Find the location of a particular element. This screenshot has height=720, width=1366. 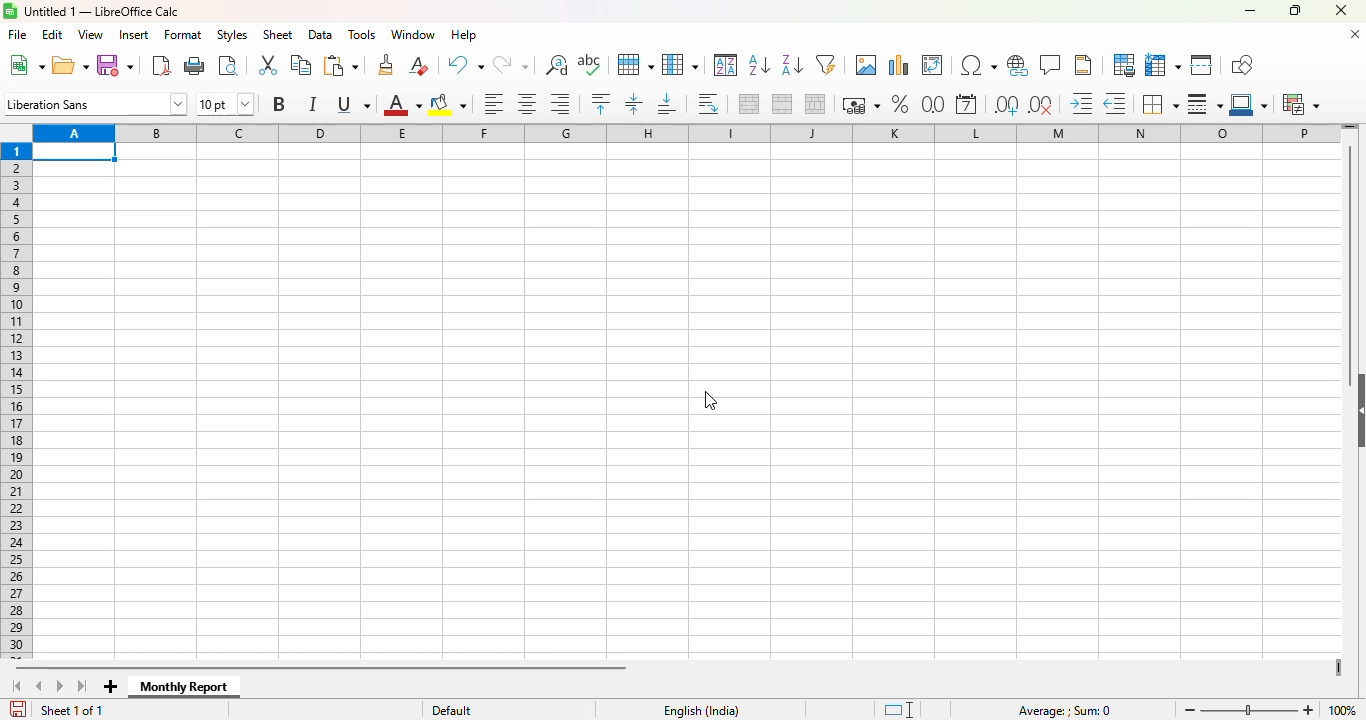

horizontal scroll bar is located at coordinates (323, 668).